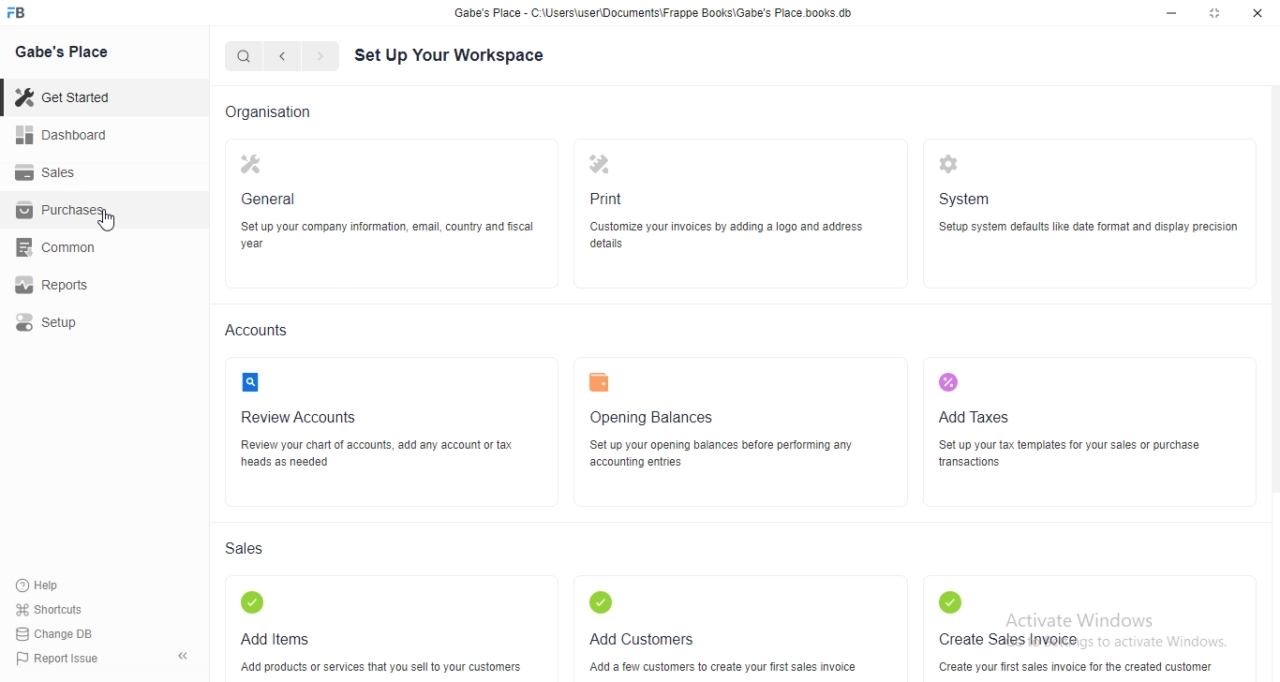 The image size is (1280, 682). What do you see at coordinates (252, 602) in the screenshot?
I see `Add Items icon` at bounding box center [252, 602].